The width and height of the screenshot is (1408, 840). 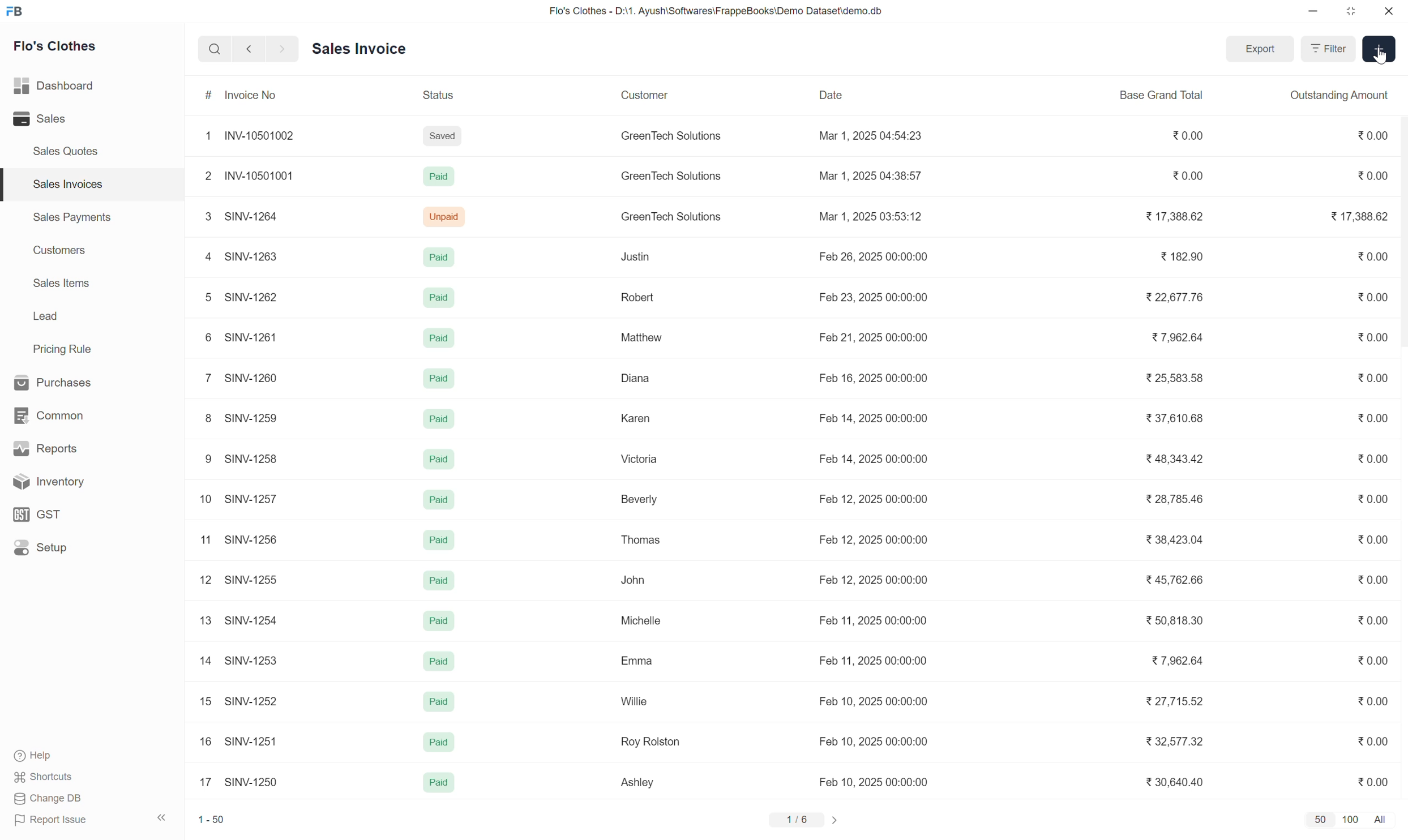 I want to click on ₹ 45,762.66, so click(x=1178, y=579).